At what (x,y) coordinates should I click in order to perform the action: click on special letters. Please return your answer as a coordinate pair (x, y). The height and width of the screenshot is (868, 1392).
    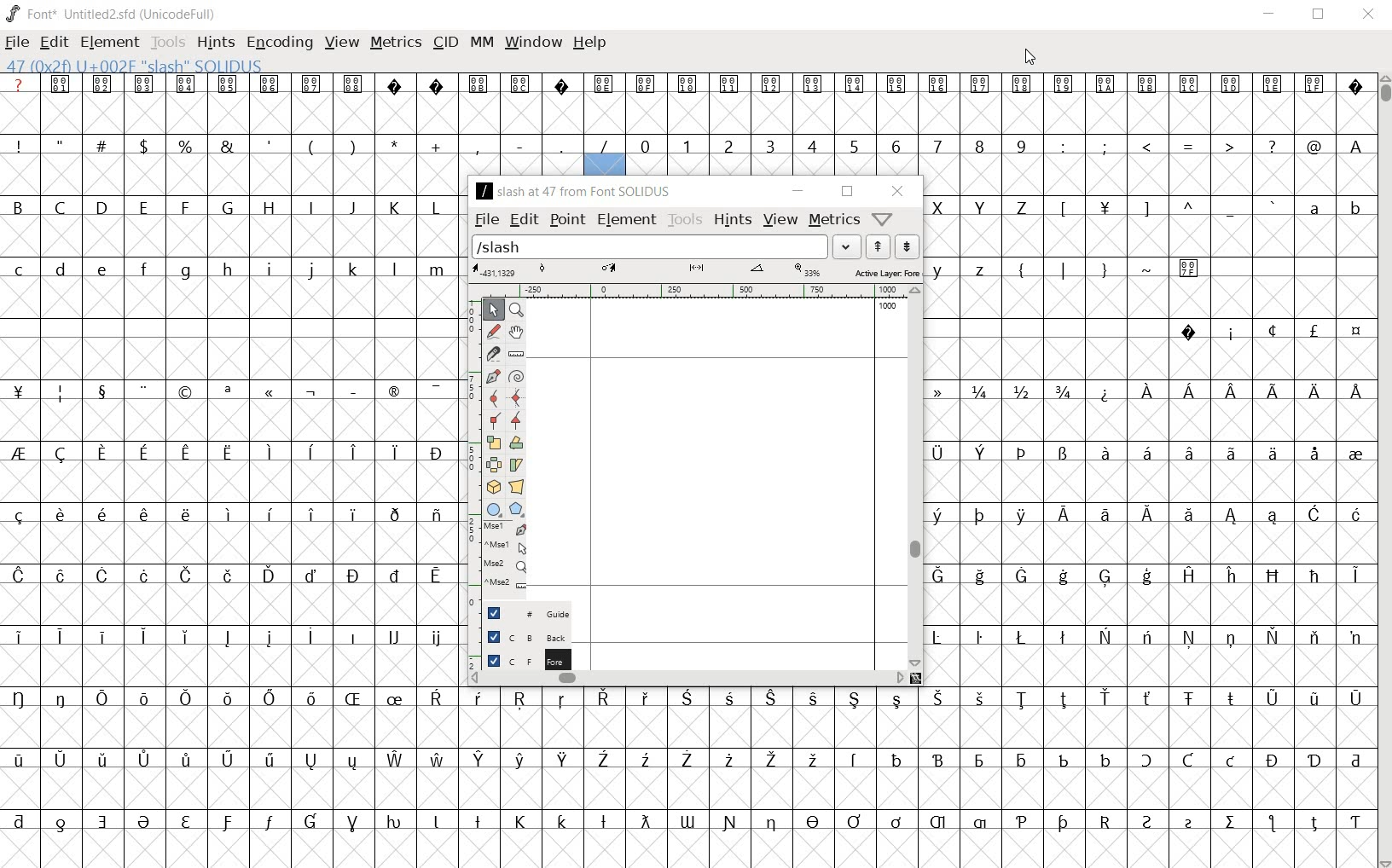
    Looking at the image, I should click on (233, 574).